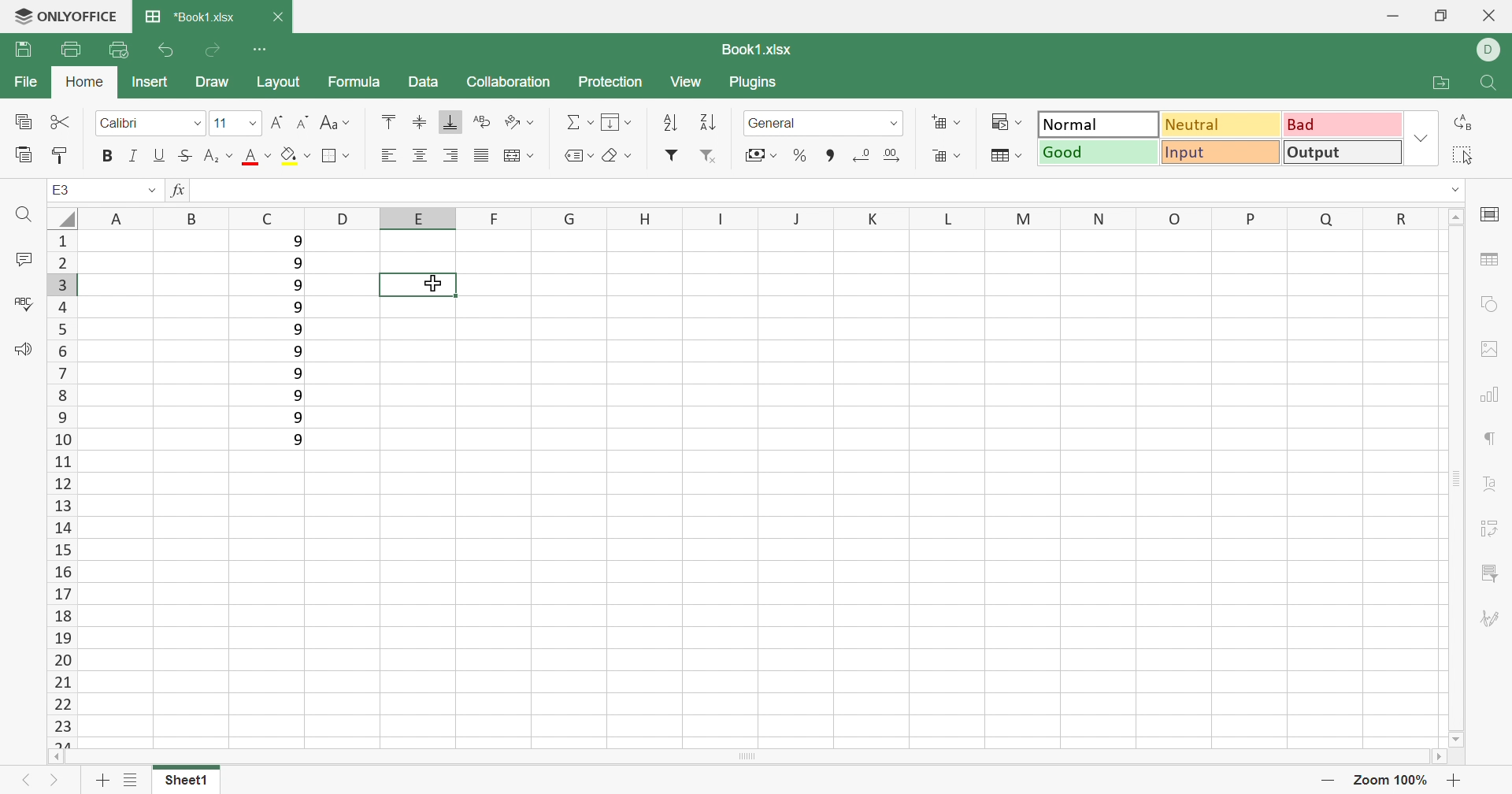  What do you see at coordinates (61, 488) in the screenshot?
I see `Row numbers` at bounding box center [61, 488].